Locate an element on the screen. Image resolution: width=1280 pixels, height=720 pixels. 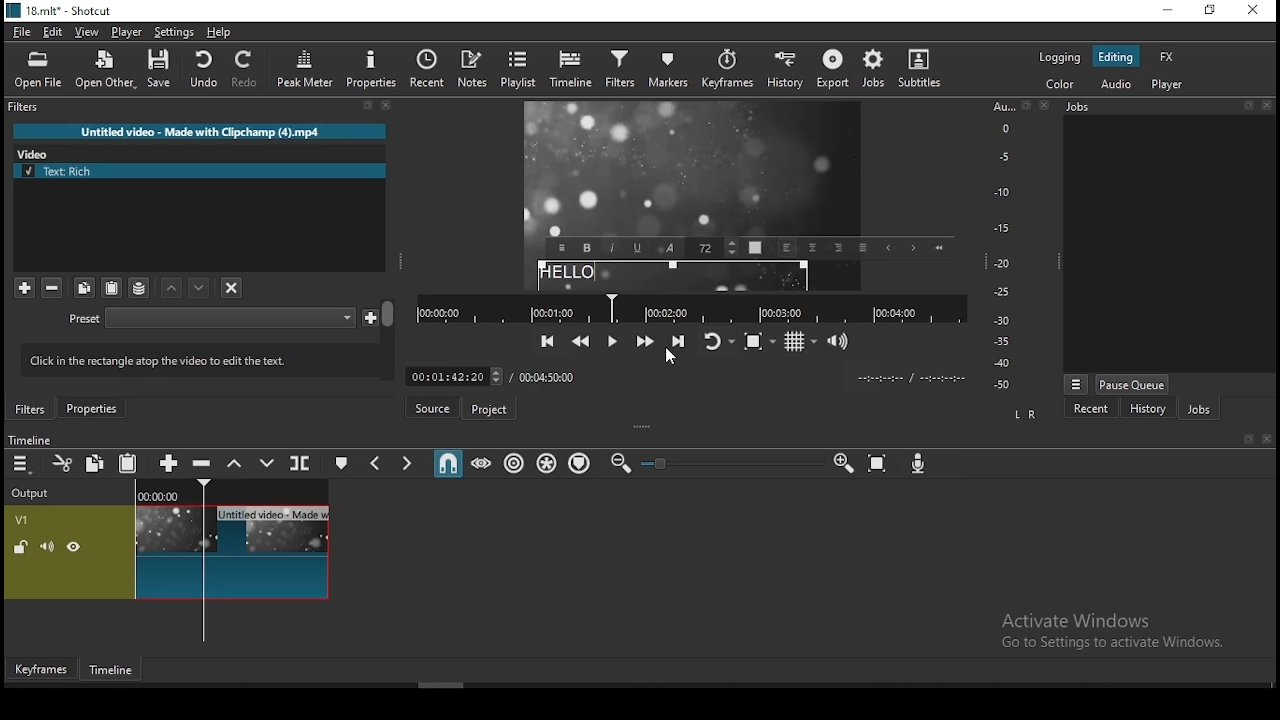
split at playhead is located at coordinates (301, 462).